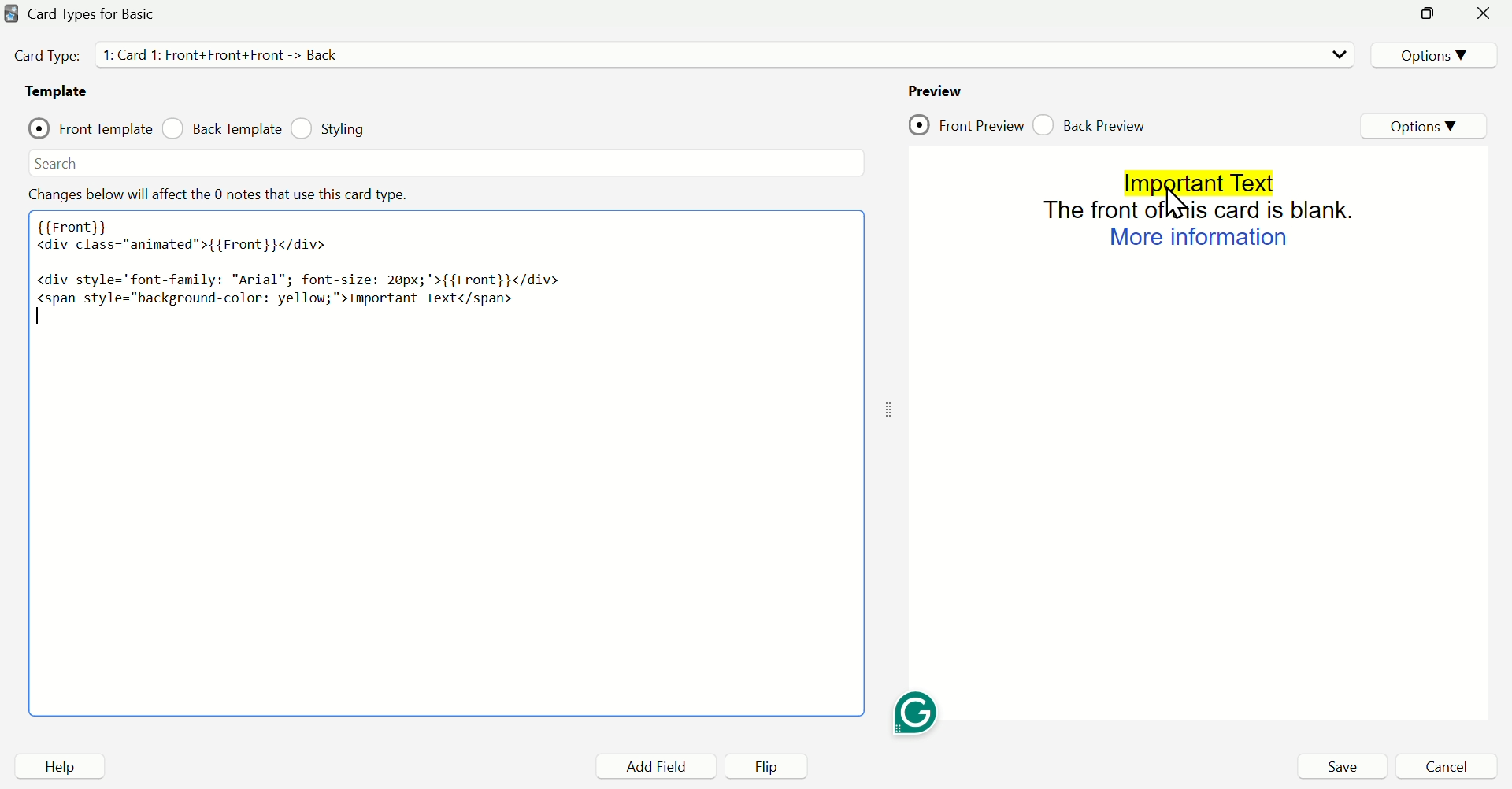 The height and width of the screenshot is (789, 1512). Describe the element at coordinates (234, 196) in the screenshot. I see `Changes below will affect the 0 notes that use this card type` at that location.